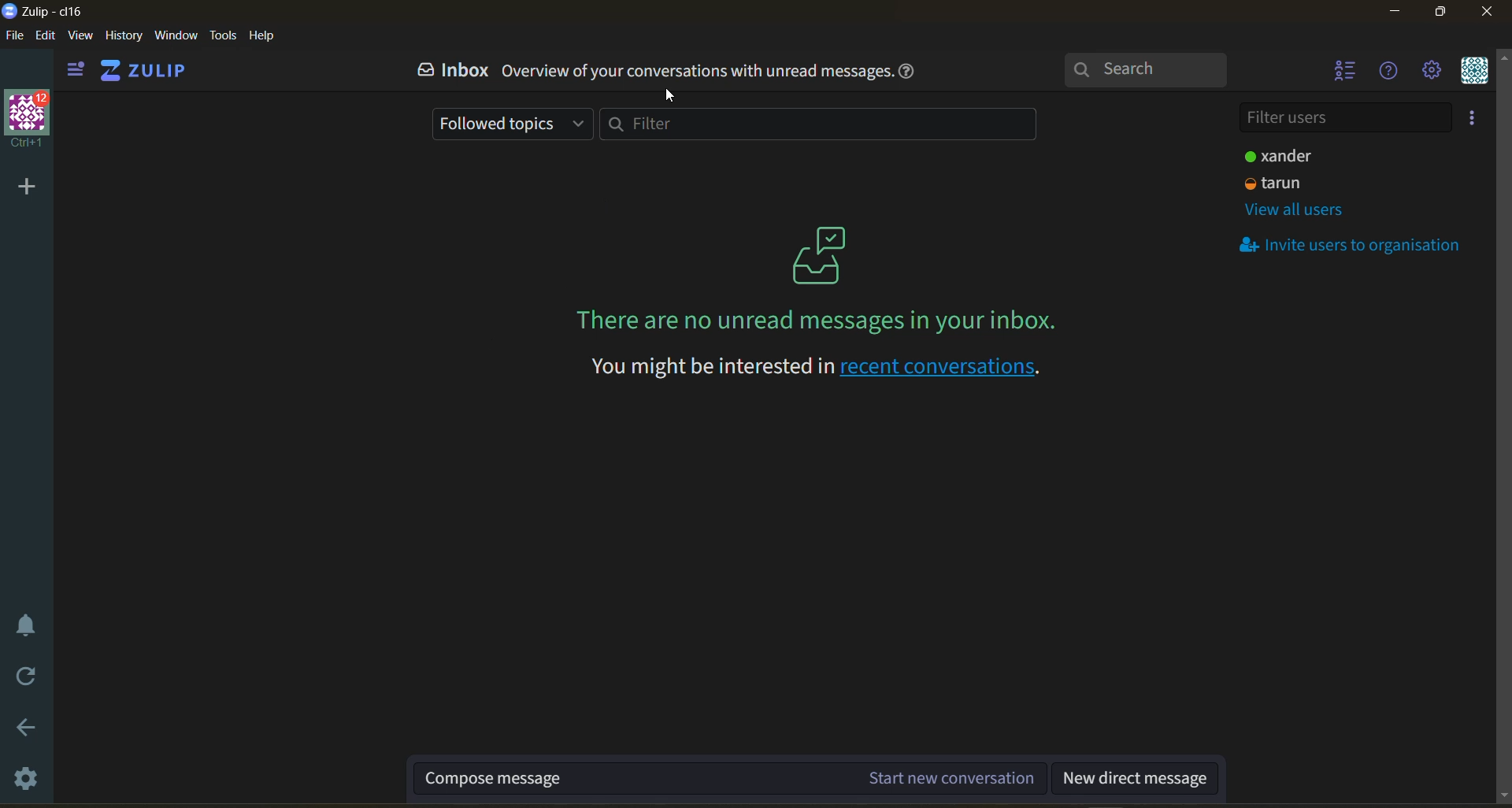 Image resolution: width=1512 pixels, height=808 pixels. Describe the element at coordinates (811, 122) in the screenshot. I see `filter` at that location.